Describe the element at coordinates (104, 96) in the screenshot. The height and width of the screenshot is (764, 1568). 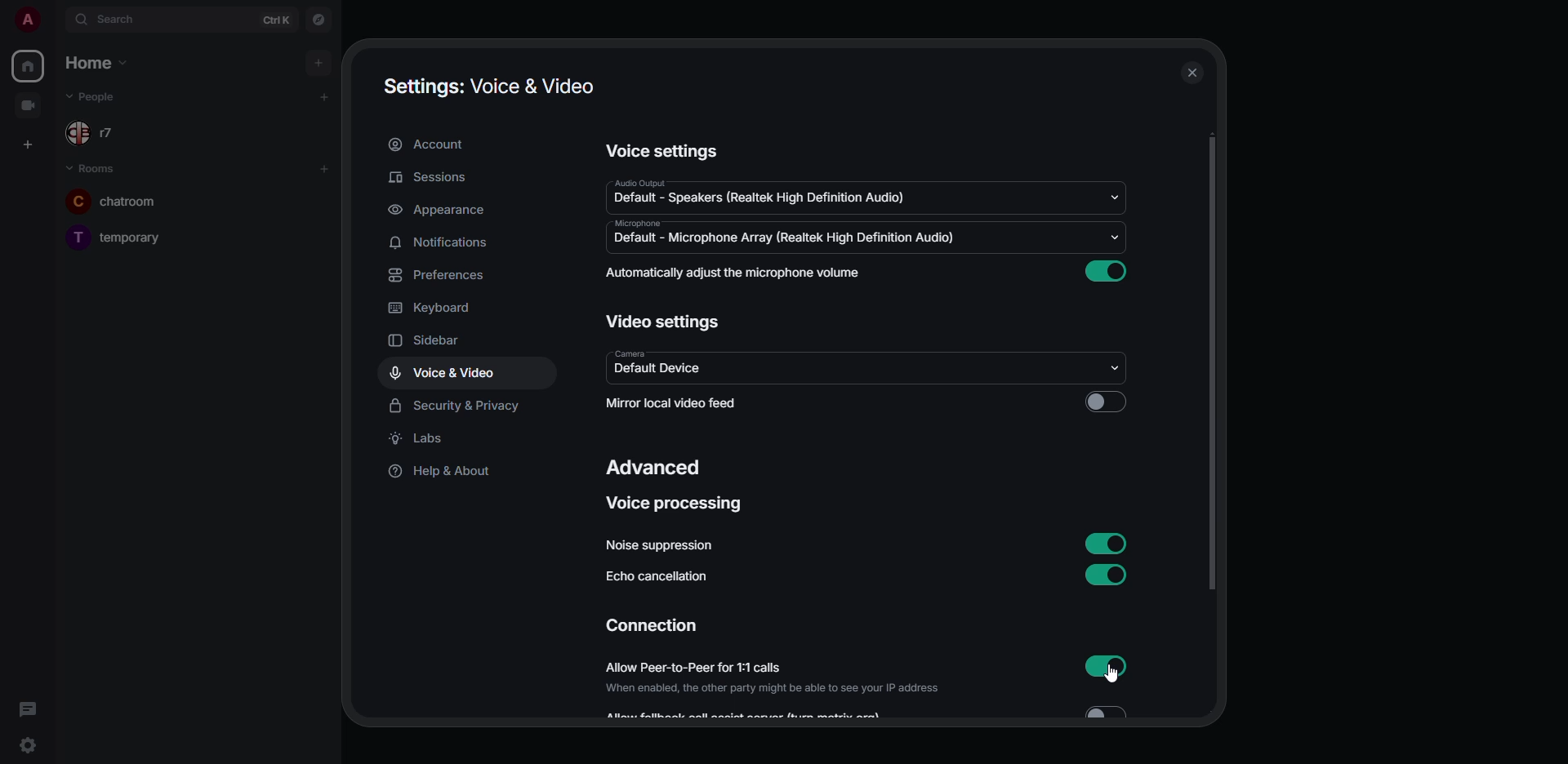
I see `people` at that location.